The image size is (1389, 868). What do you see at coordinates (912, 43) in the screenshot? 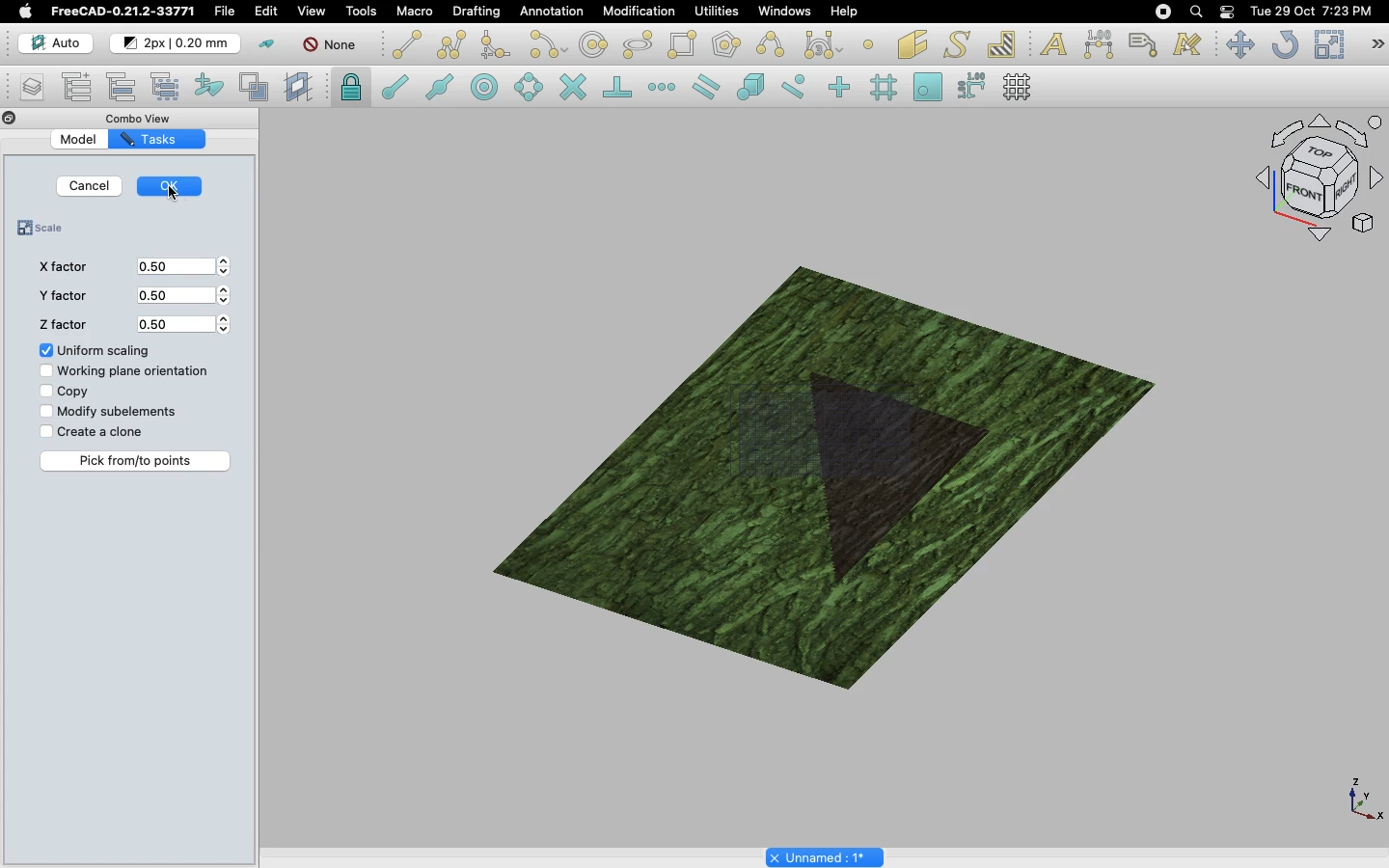
I see `Facebinder` at bounding box center [912, 43].